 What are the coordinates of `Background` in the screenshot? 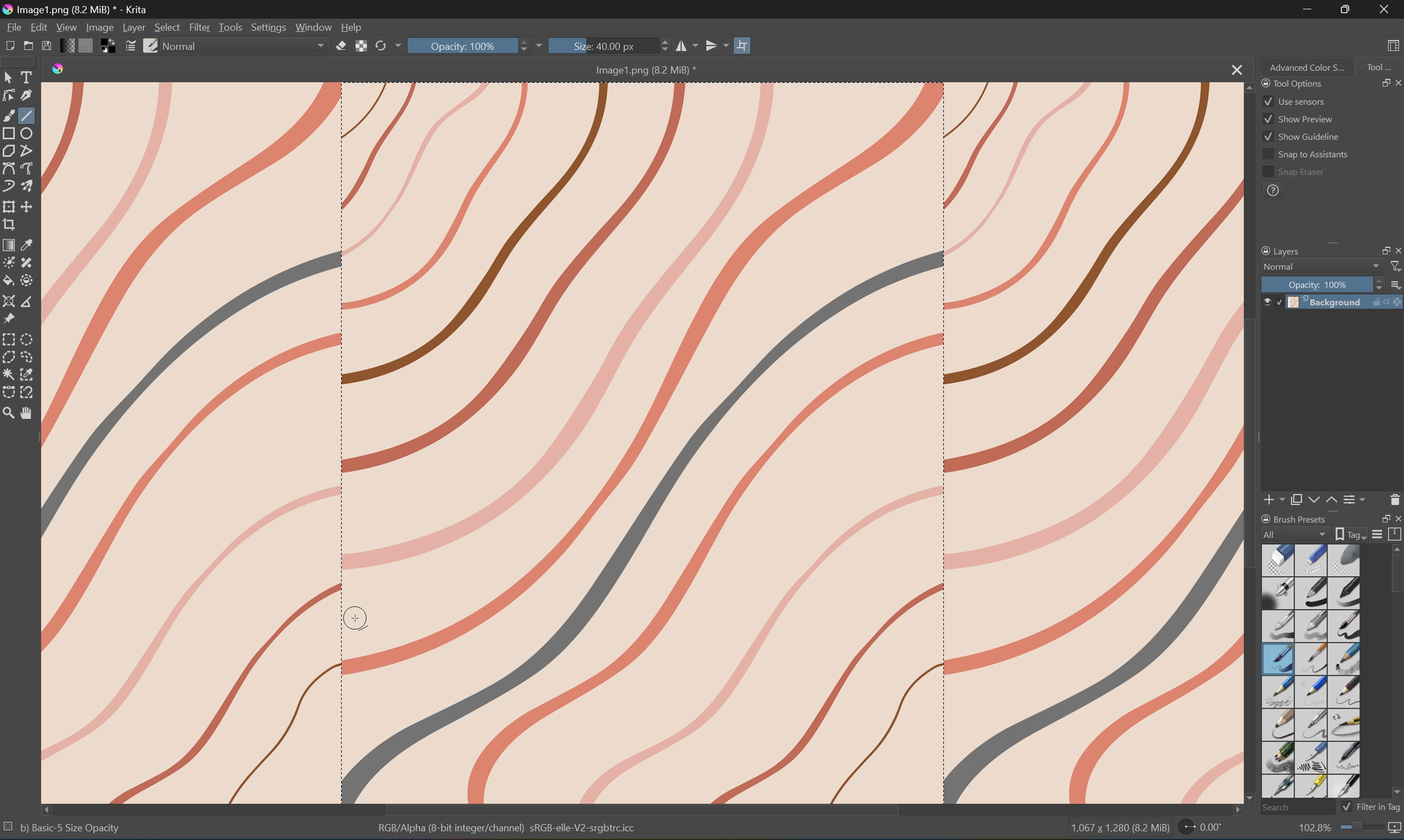 It's located at (1347, 302).